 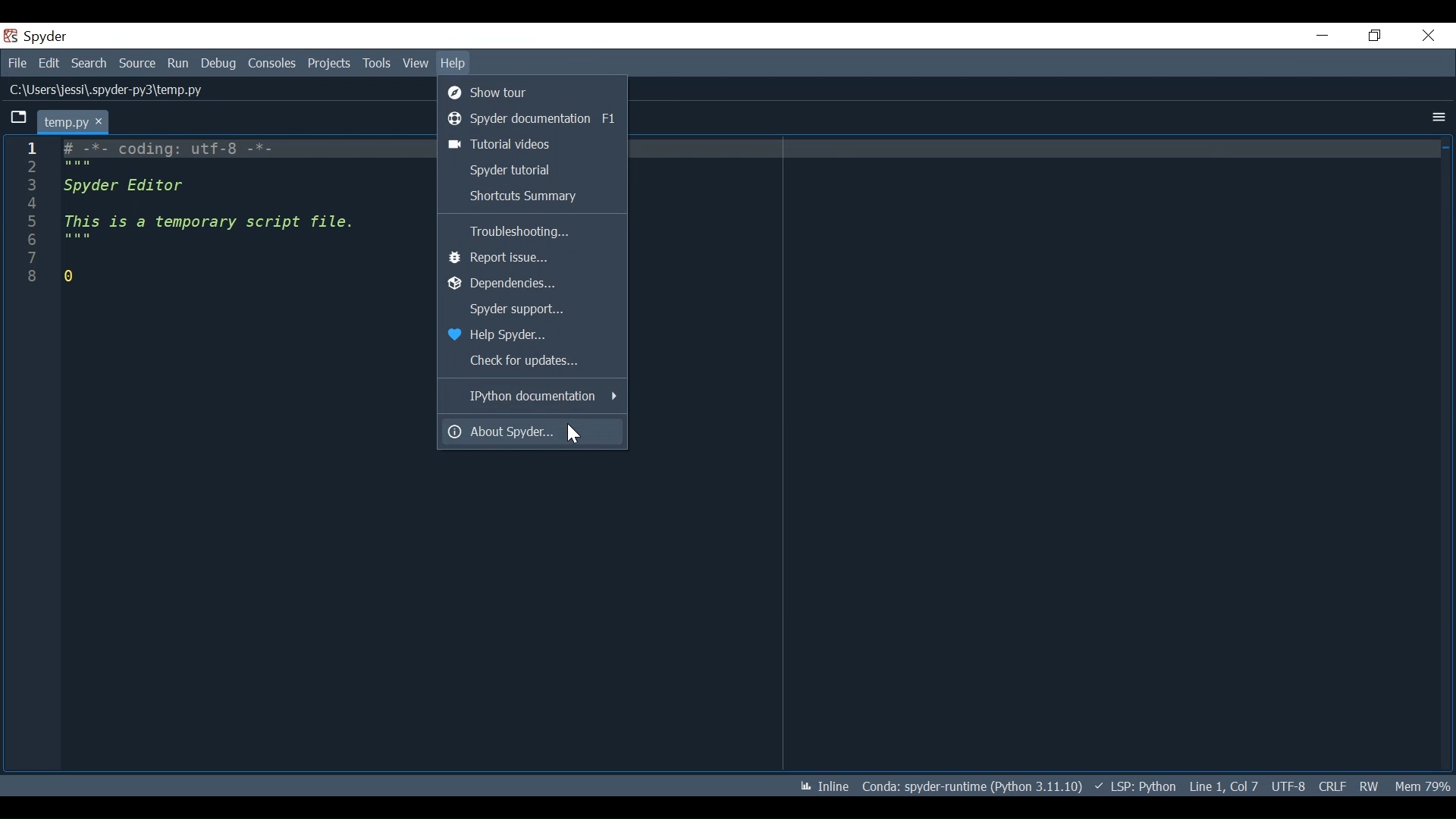 What do you see at coordinates (529, 283) in the screenshot?
I see `Dependencies` at bounding box center [529, 283].